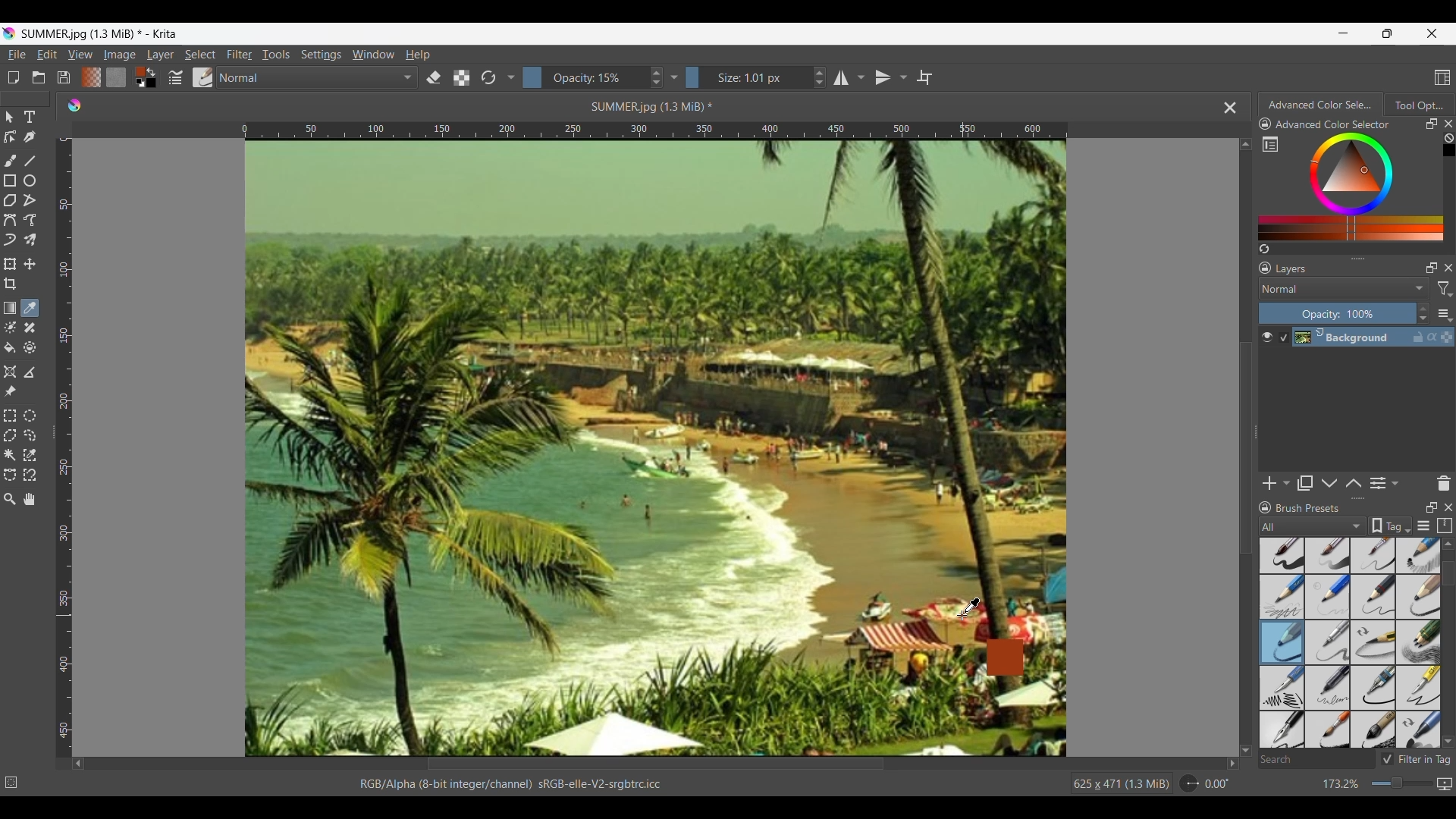  What do you see at coordinates (1448, 742) in the screenshot?
I see `Quick slide to bottom` at bounding box center [1448, 742].